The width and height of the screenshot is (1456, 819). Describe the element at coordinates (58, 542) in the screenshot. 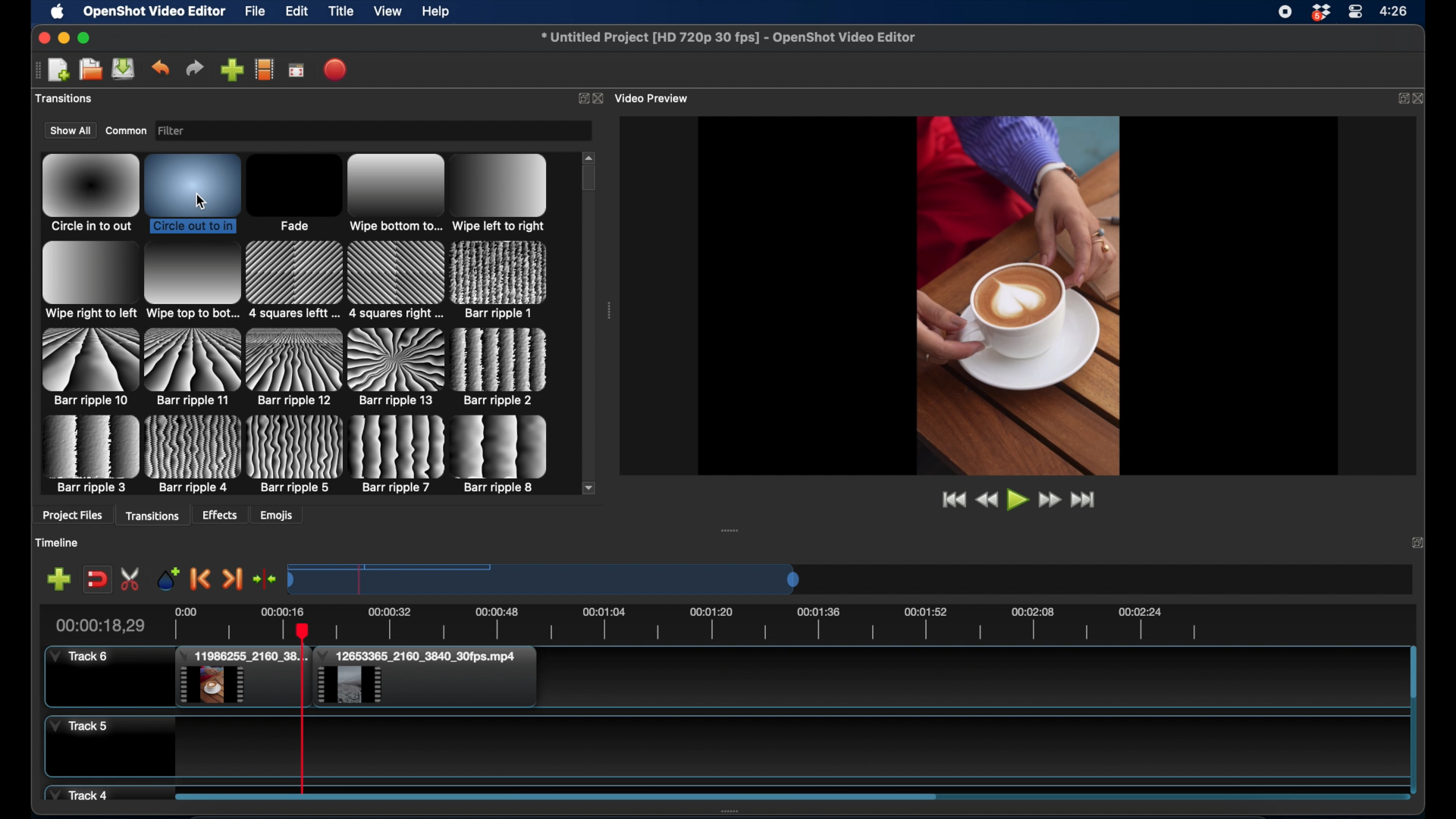

I see `timeline` at that location.